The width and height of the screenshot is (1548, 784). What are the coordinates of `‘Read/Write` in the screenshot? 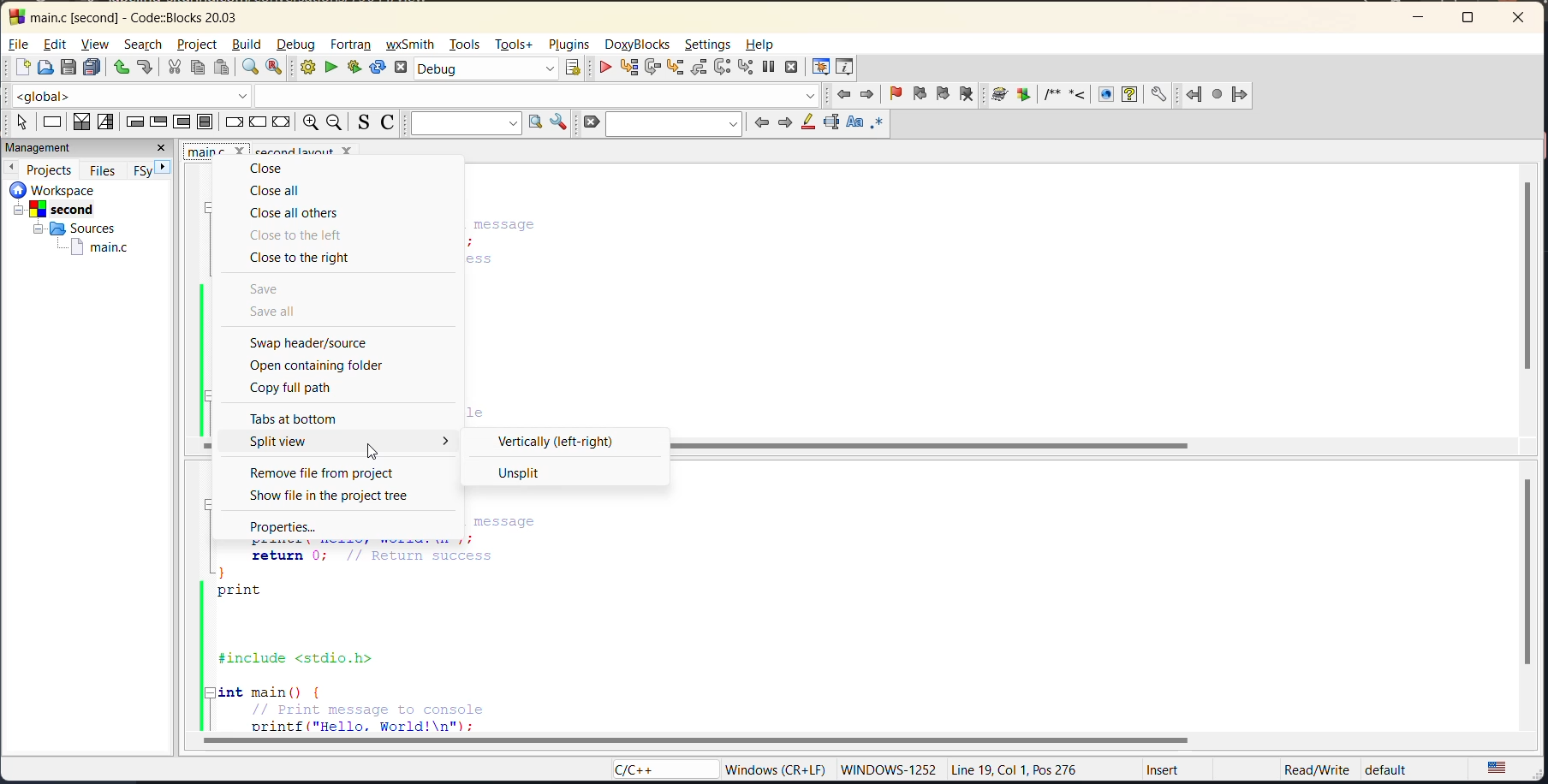 It's located at (1318, 769).